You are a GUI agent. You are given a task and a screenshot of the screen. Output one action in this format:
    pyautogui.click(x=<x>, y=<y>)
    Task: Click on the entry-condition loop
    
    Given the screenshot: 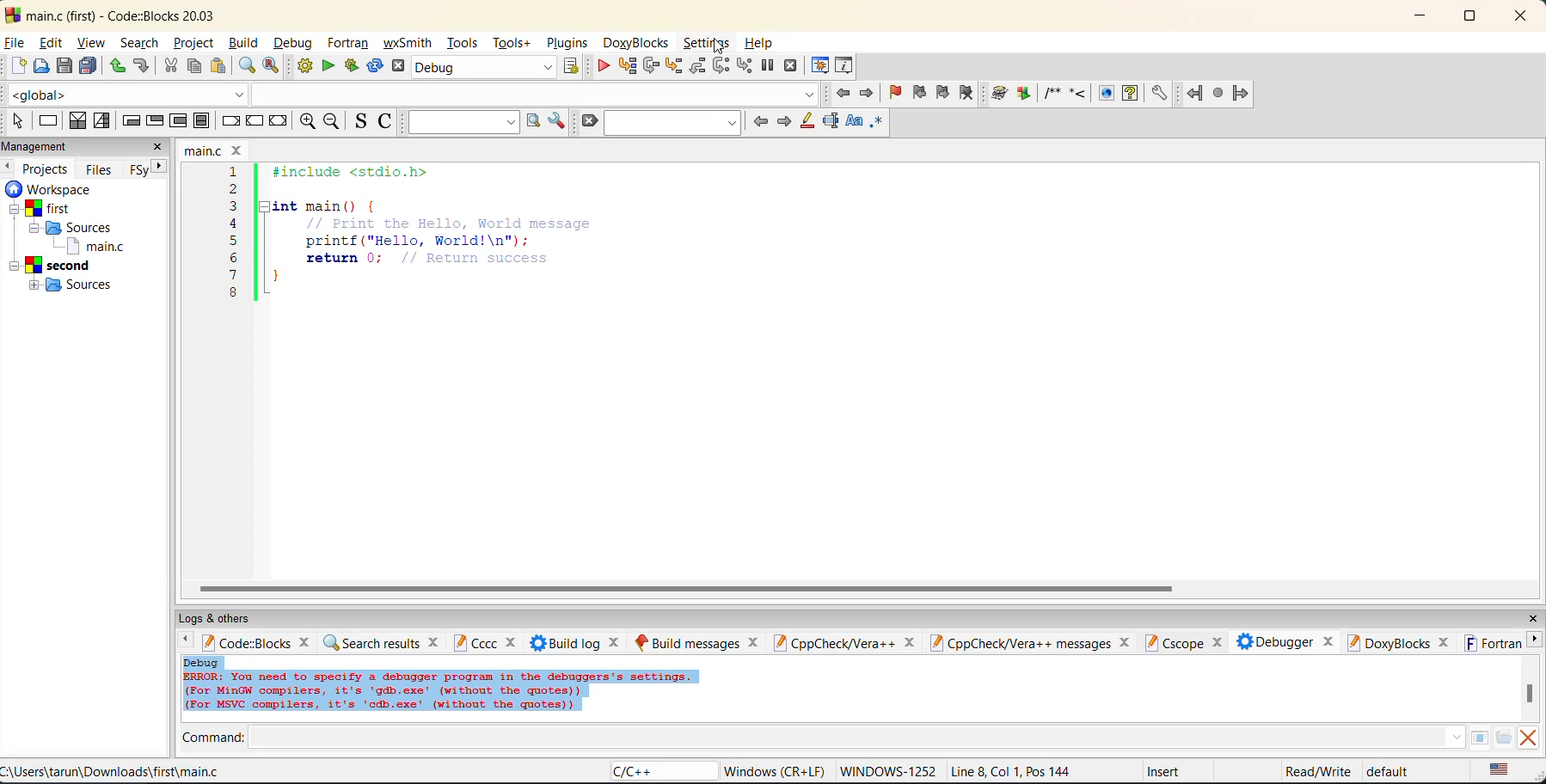 What is the action you would take?
    pyautogui.click(x=132, y=123)
    